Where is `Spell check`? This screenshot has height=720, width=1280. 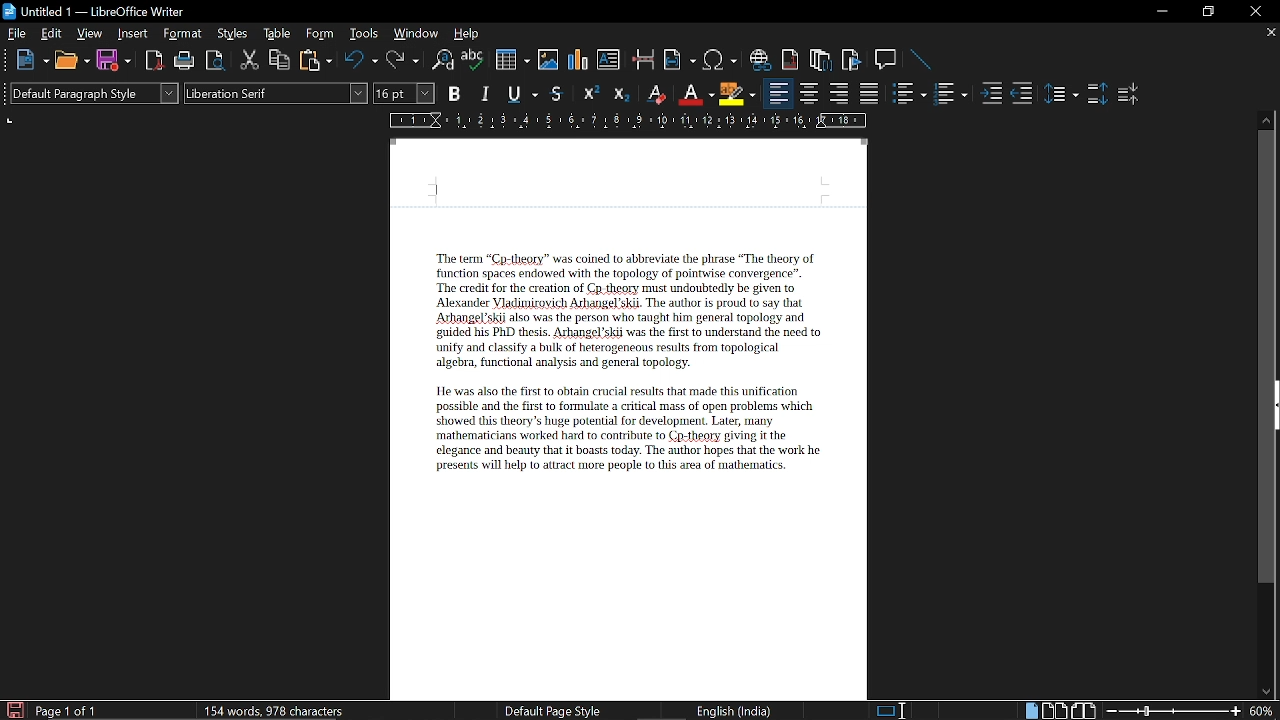
Spell check is located at coordinates (473, 60).